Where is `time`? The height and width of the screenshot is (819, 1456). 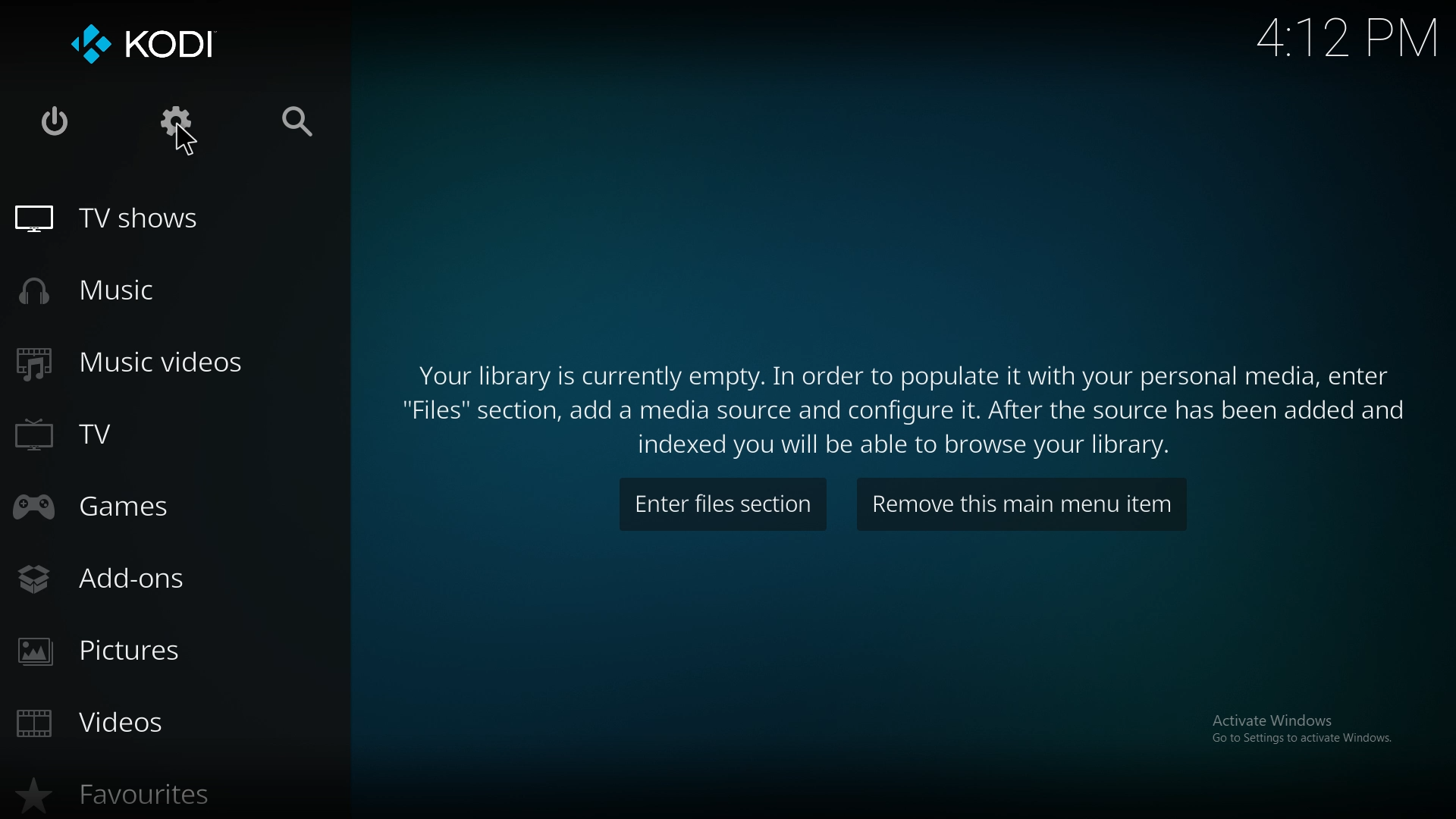
time is located at coordinates (1345, 36).